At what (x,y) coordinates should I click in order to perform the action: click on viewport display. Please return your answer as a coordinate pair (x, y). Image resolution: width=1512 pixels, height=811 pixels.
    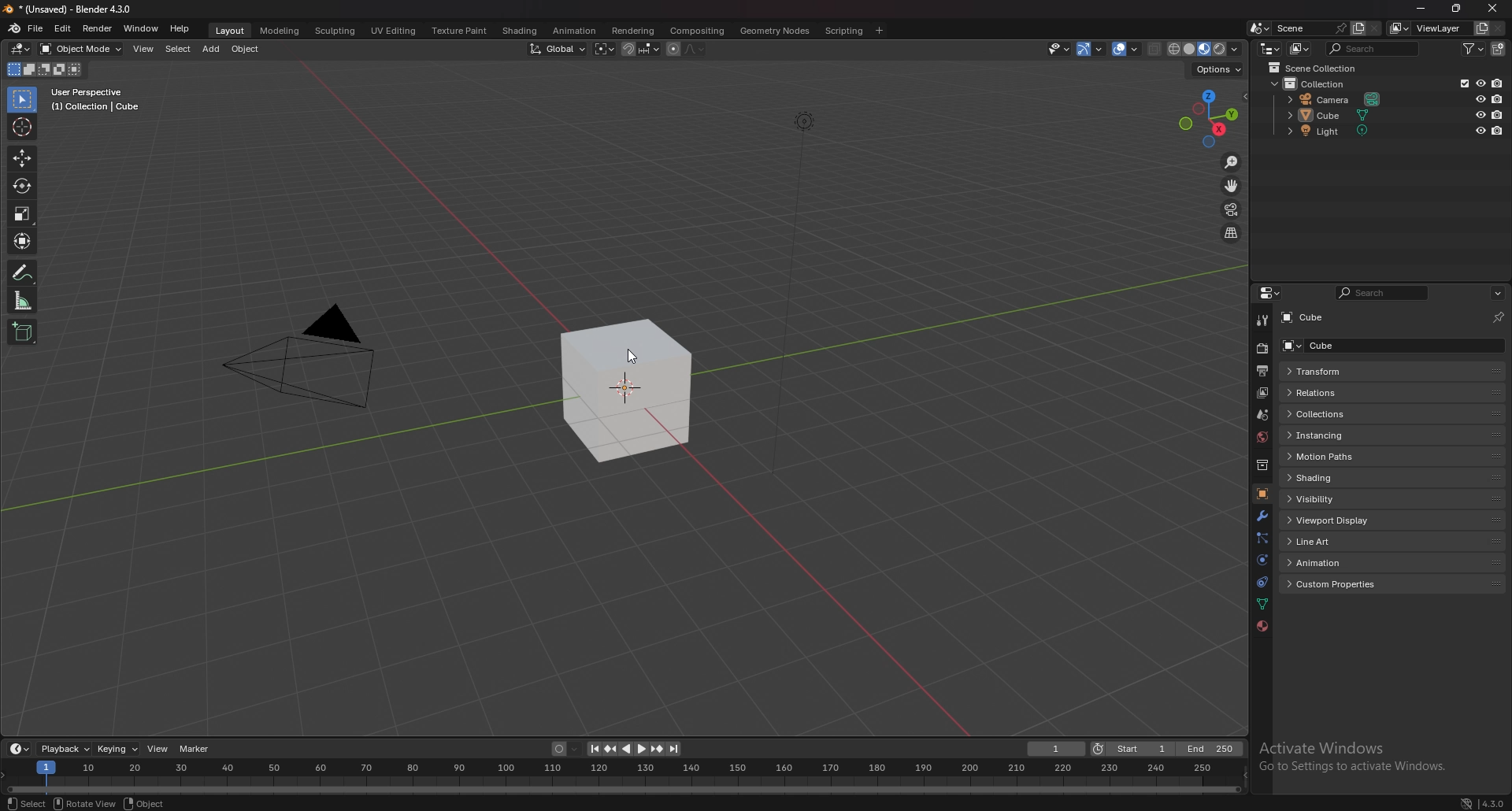
    Looking at the image, I should click on (1335, 520).